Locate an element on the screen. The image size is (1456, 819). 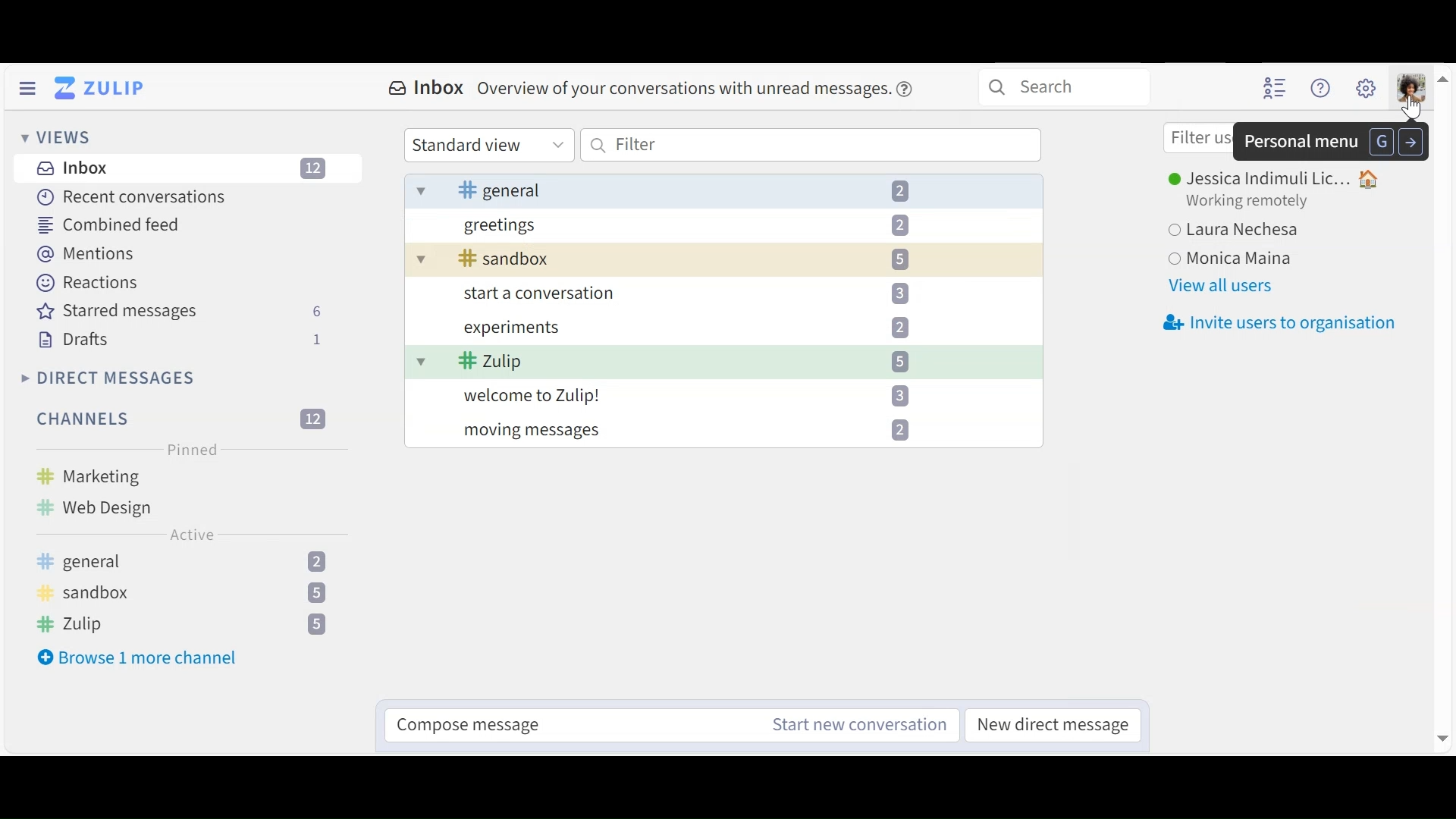
Personal menu is located at coordinates (1330, 143).